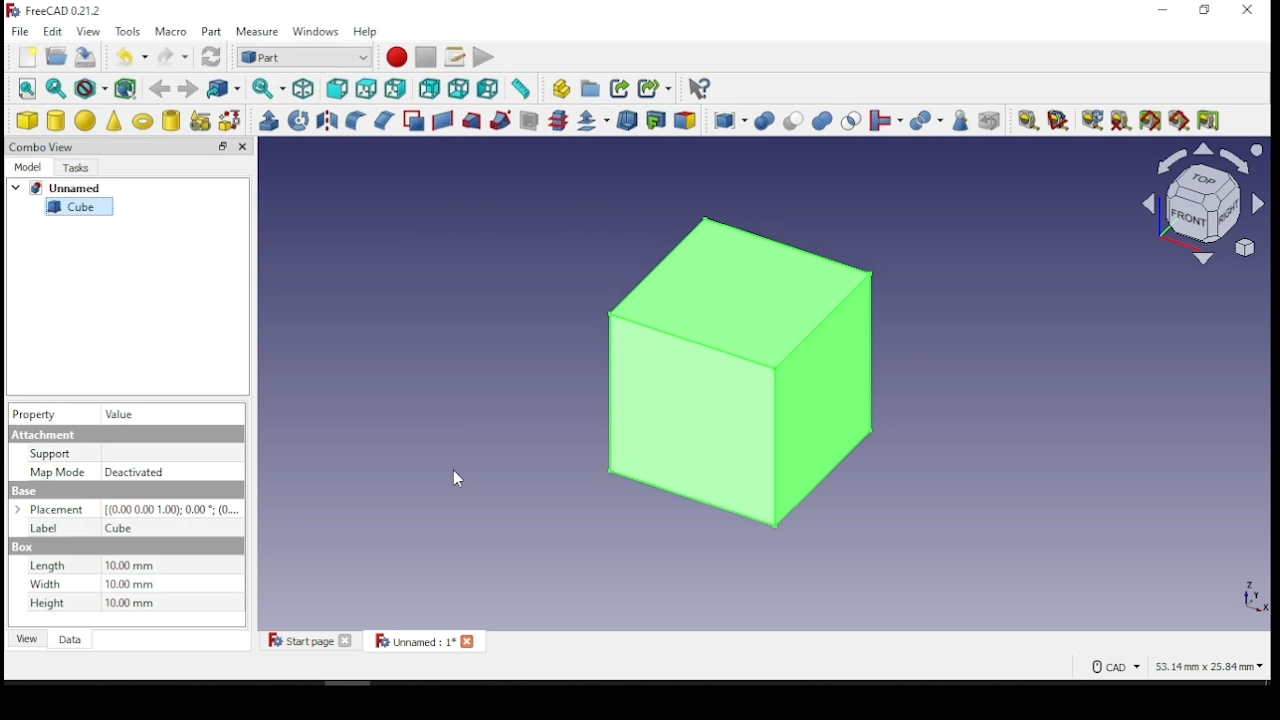 The height and width of the screenshot is (720, 1280). I want to click on 0,000,00, so click(171, 509).